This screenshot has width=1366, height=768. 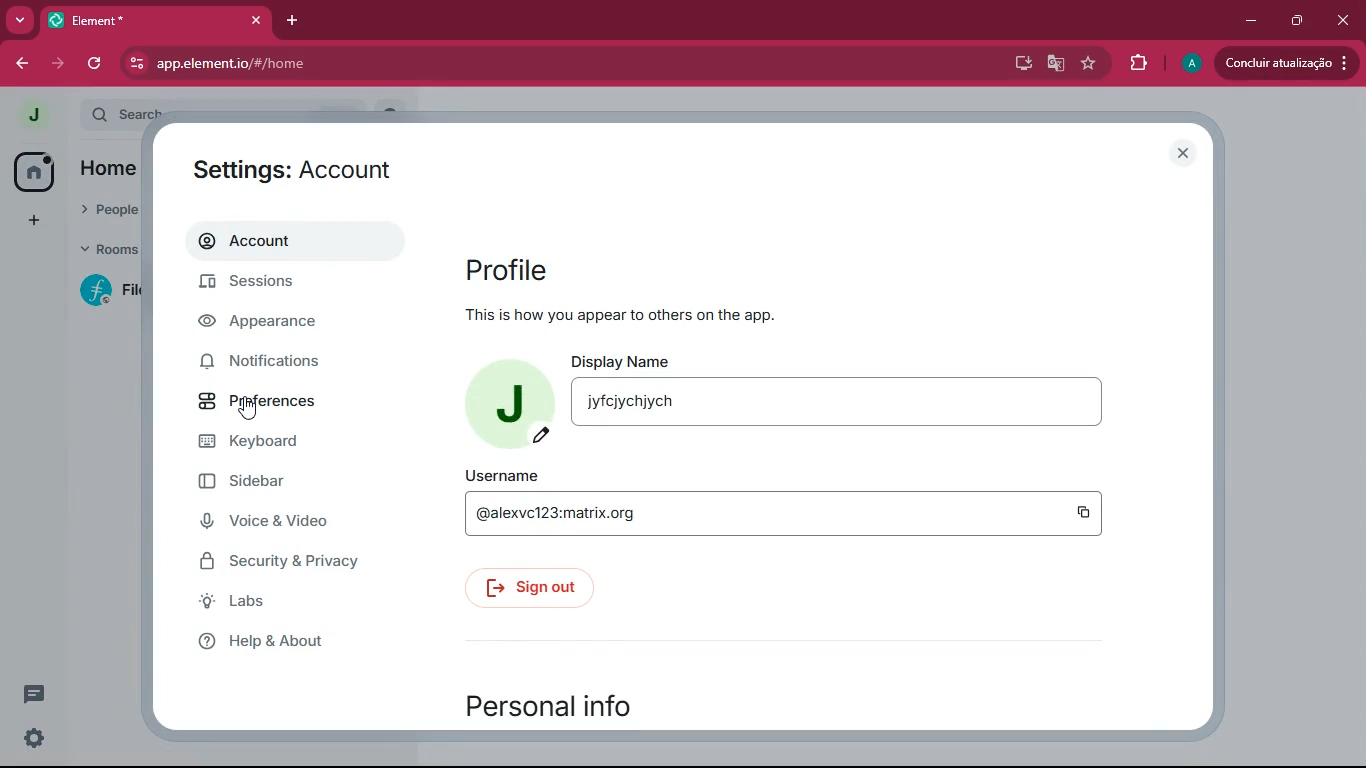 I want to click on display name, so click(x=628, y=359).